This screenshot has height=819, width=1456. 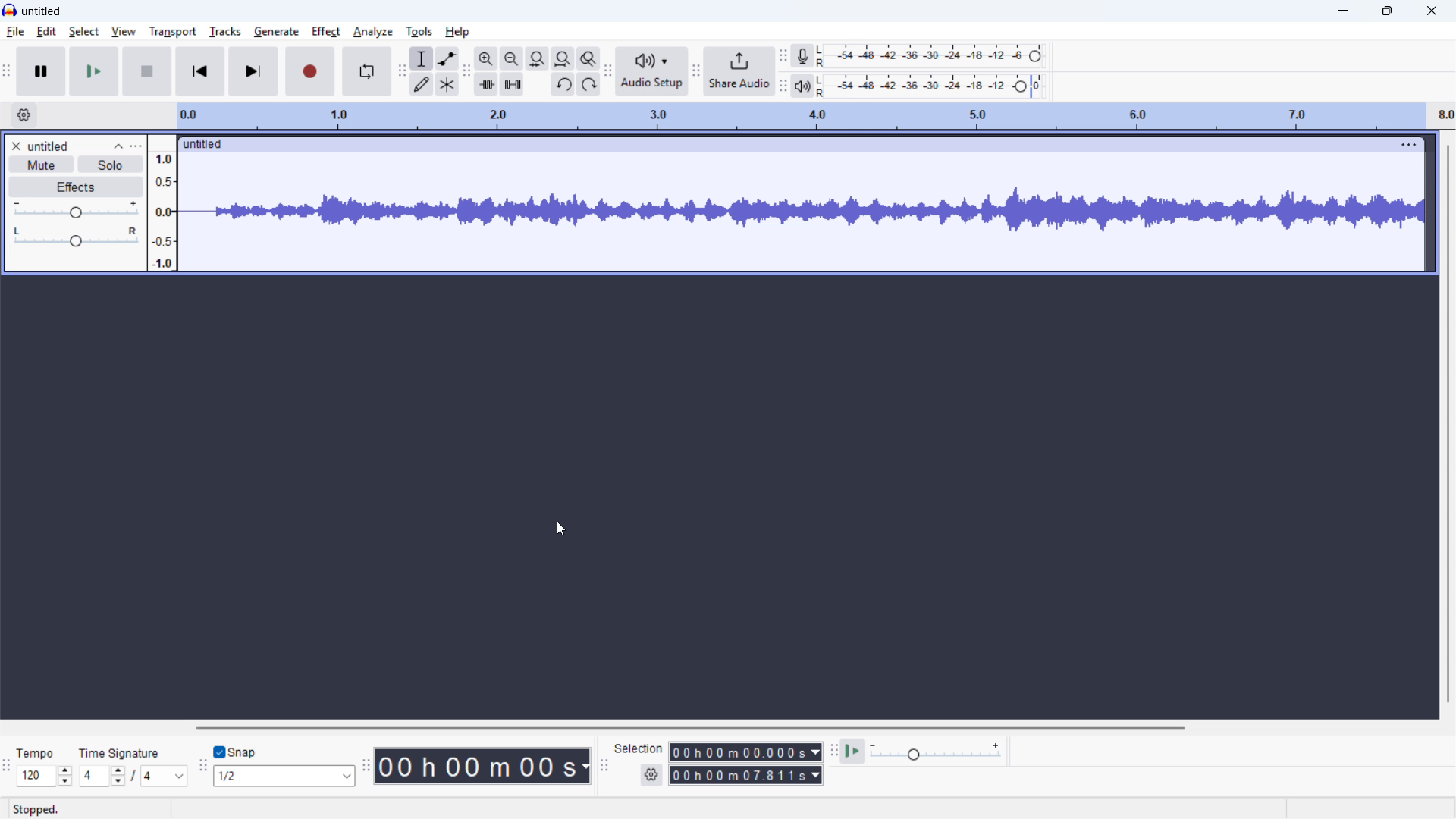 What do you see at coordinates (118, 146) in the screenshot?
I see `collapse` at bounding box center [118, 146].